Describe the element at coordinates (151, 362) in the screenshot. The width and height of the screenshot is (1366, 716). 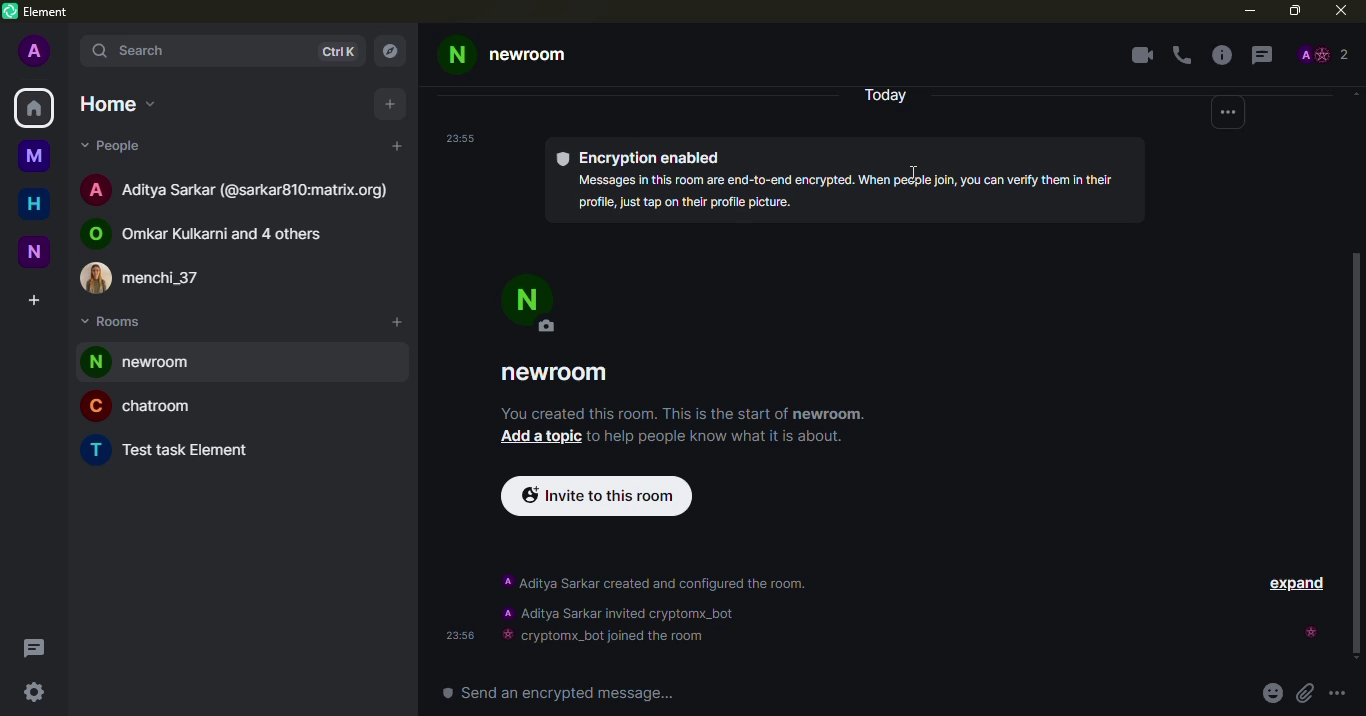
I see `room added` at that location.